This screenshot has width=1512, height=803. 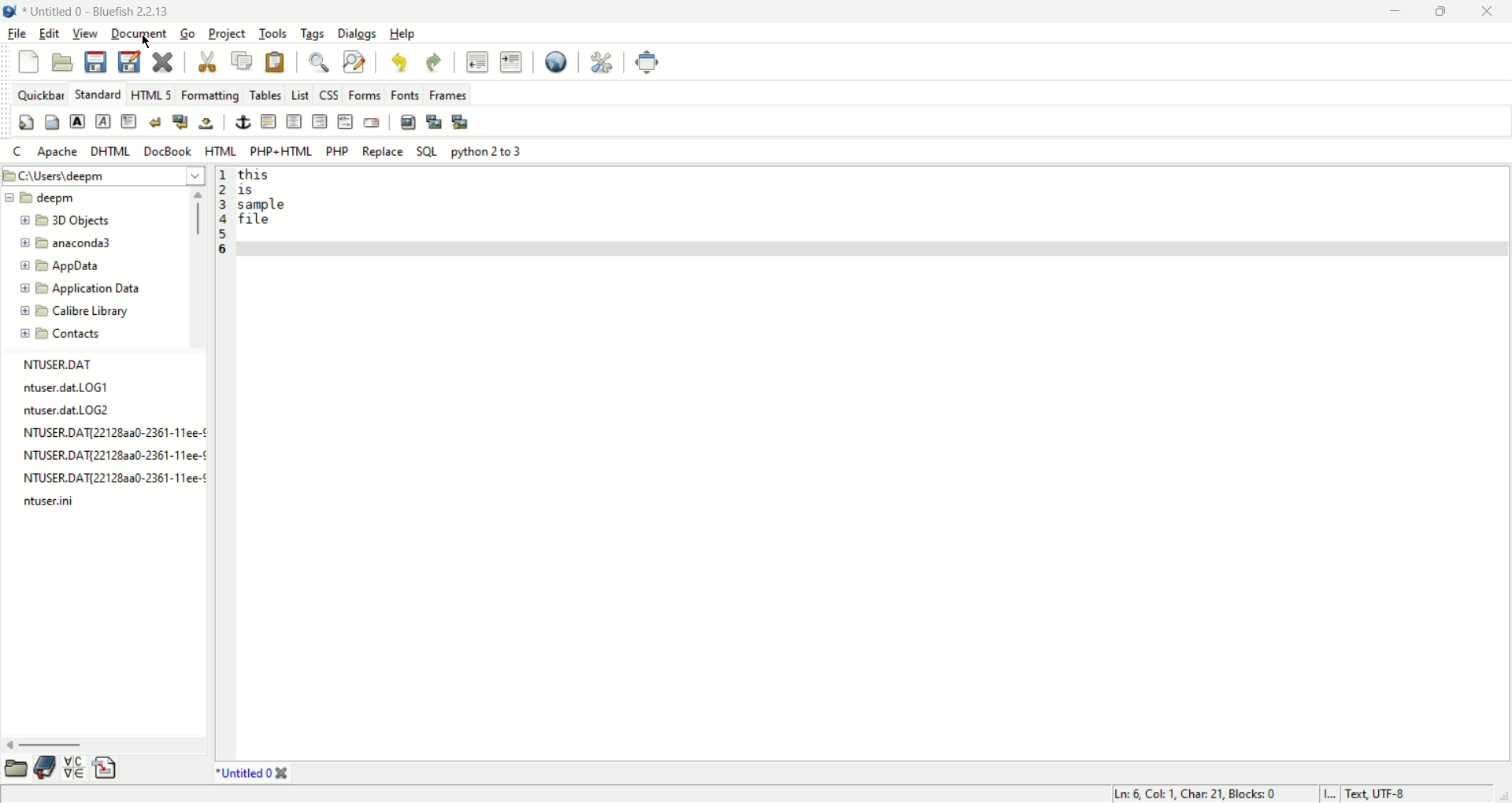 What do you see at coordinates (98, 746) in the screenshot?
I see `horizontal scroll bar` at bounding box center [98, 746].